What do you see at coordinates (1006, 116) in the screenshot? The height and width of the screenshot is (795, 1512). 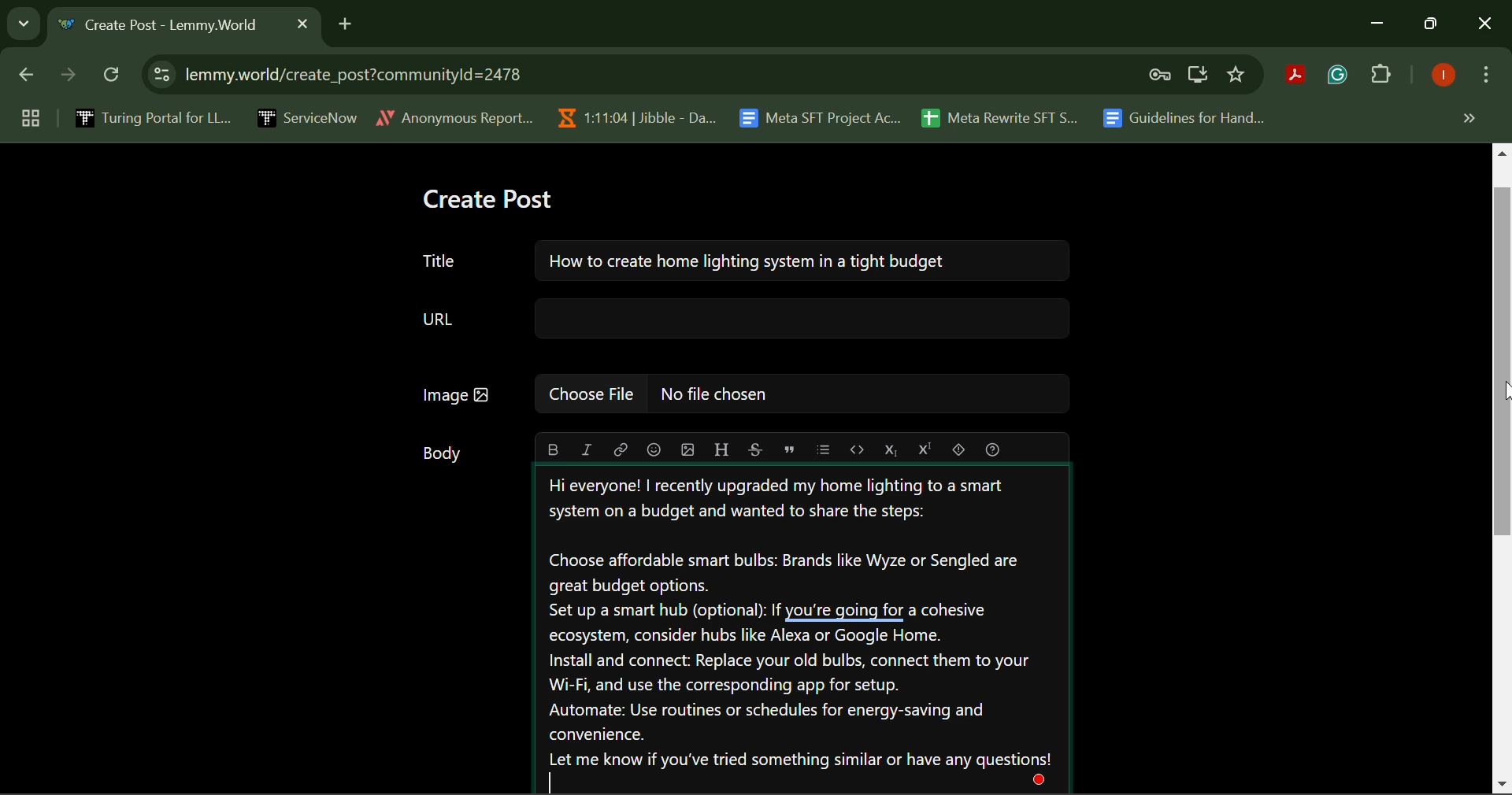 I see `Meta Rewrite SFT` at bounding box center [1006, 116].